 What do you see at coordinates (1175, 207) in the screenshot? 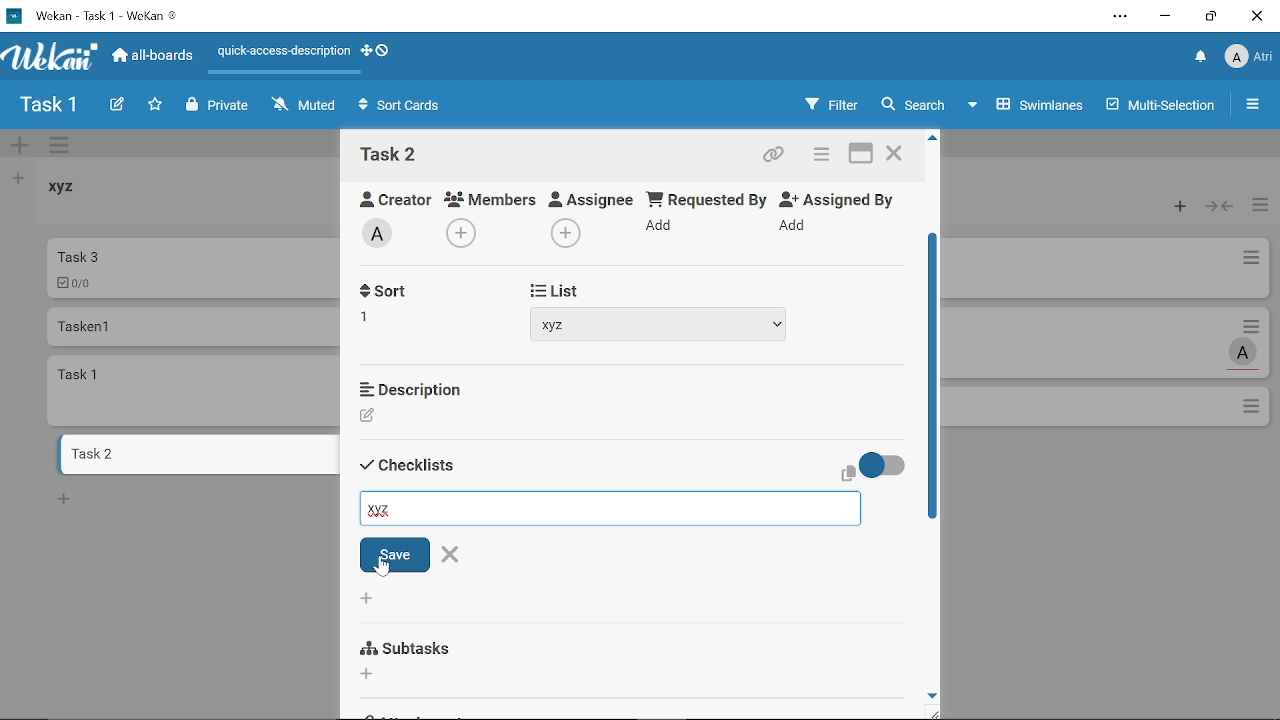
I see `Add card to the top` at bounding box center [1175, 207].